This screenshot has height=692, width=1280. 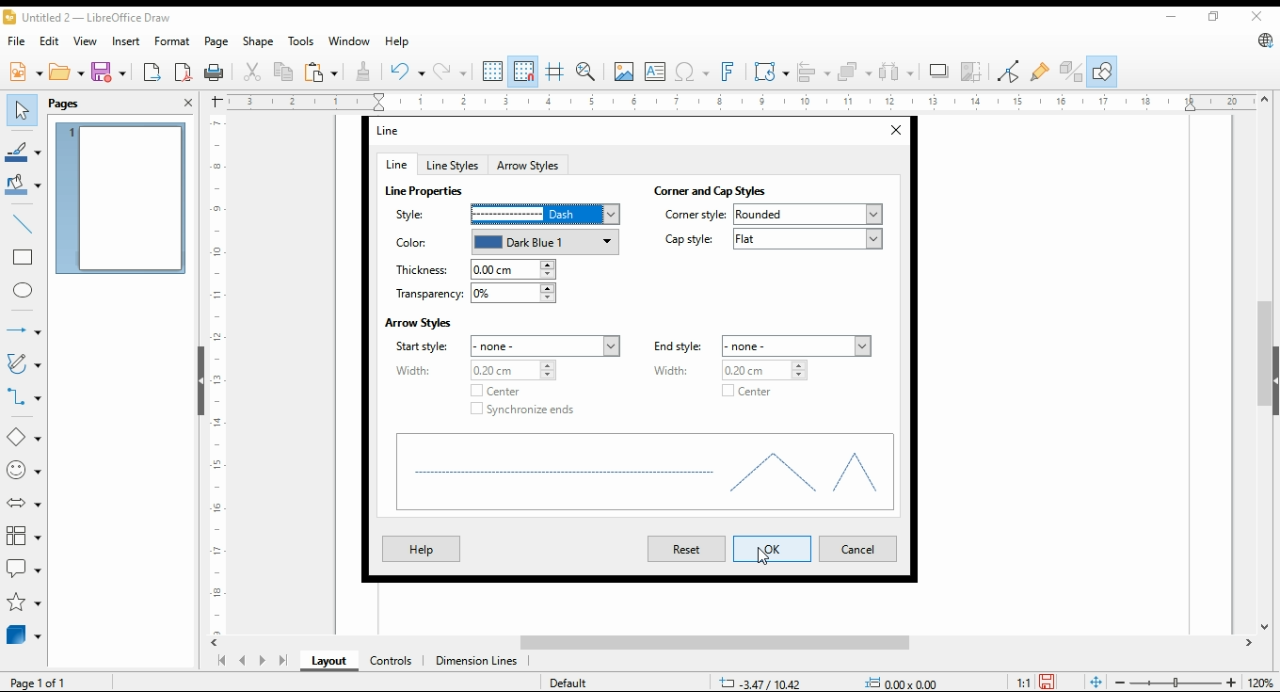 What do you see at coordinates (67, 70) in the screenshot?
I see `open` at bounding box center [67, 70].